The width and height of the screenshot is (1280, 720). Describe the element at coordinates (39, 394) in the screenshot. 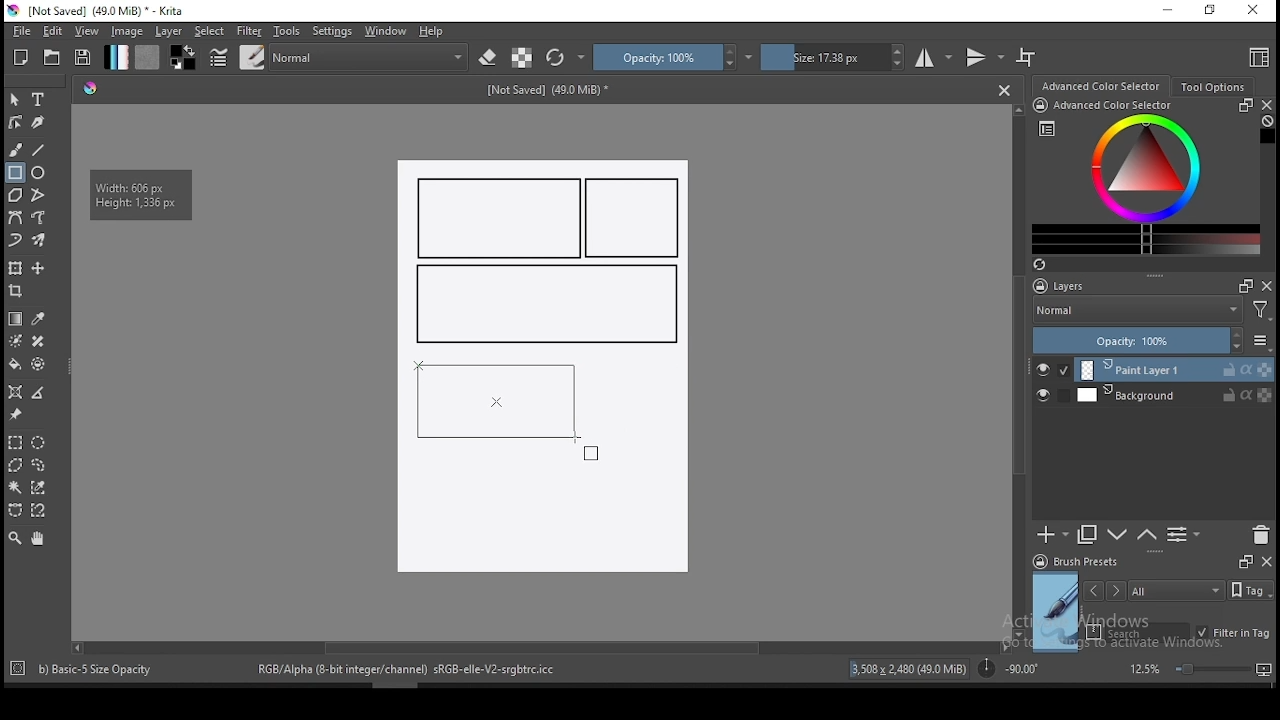

I see `measure distance between two points` at that location.